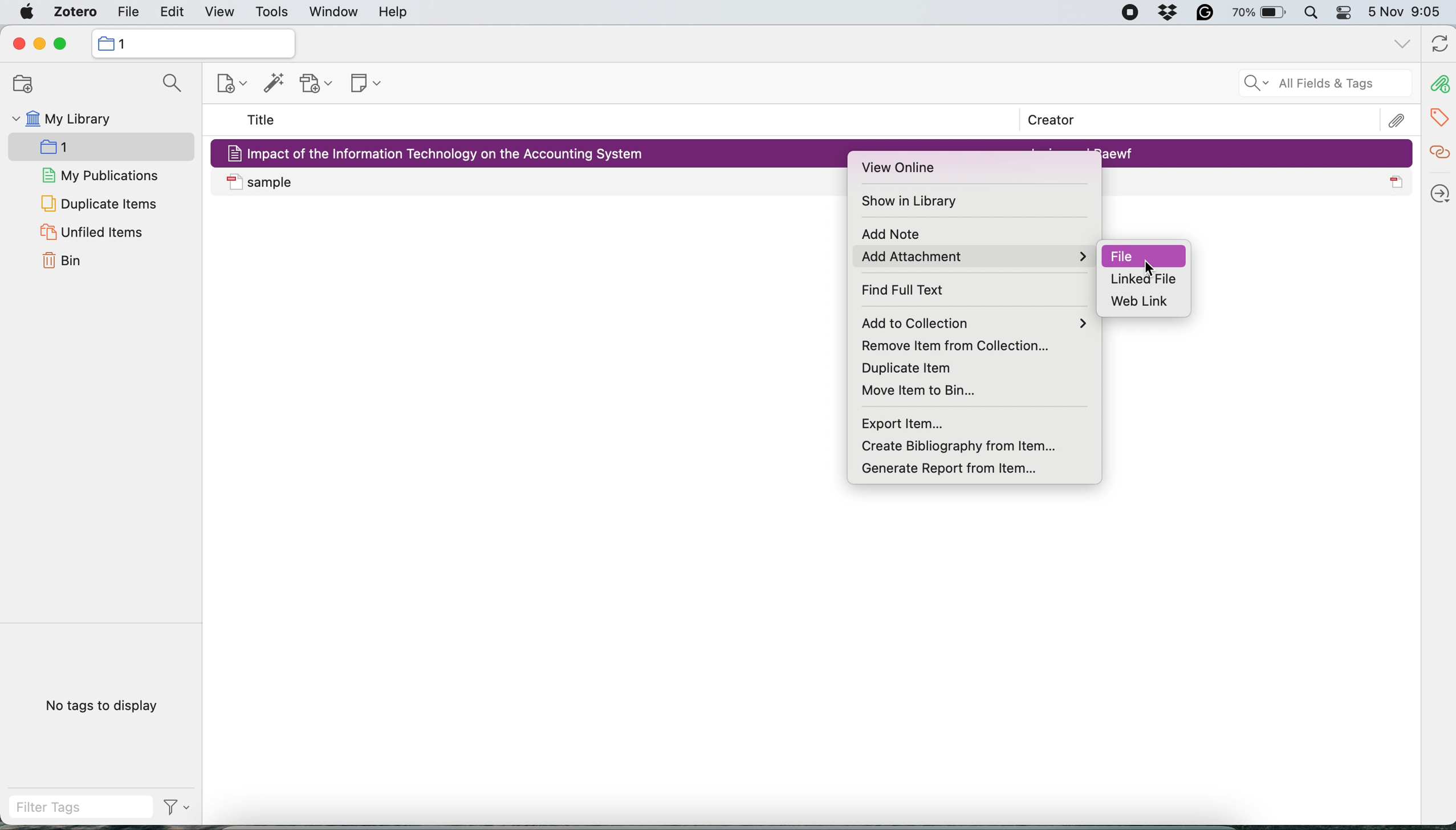 The height and width of the screenshot is (830, 1456). Describe the element at coordinates (1121, 14) in the screenshot. I see `screen recorder` at that location.